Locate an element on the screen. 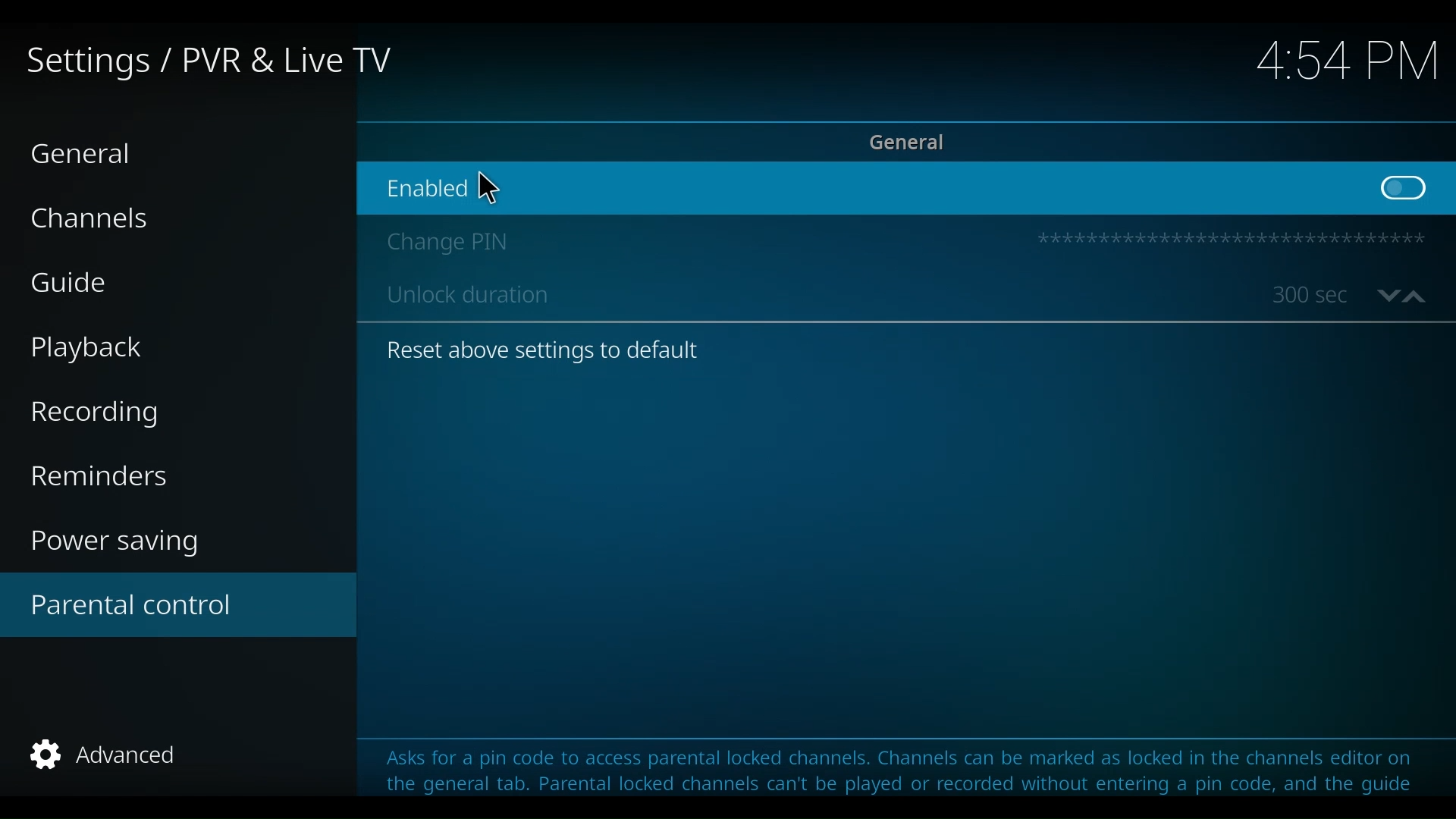 Image resolution: width=1456 pixels, height=819 pixels. Reminders is located at coordinates (102, 476).